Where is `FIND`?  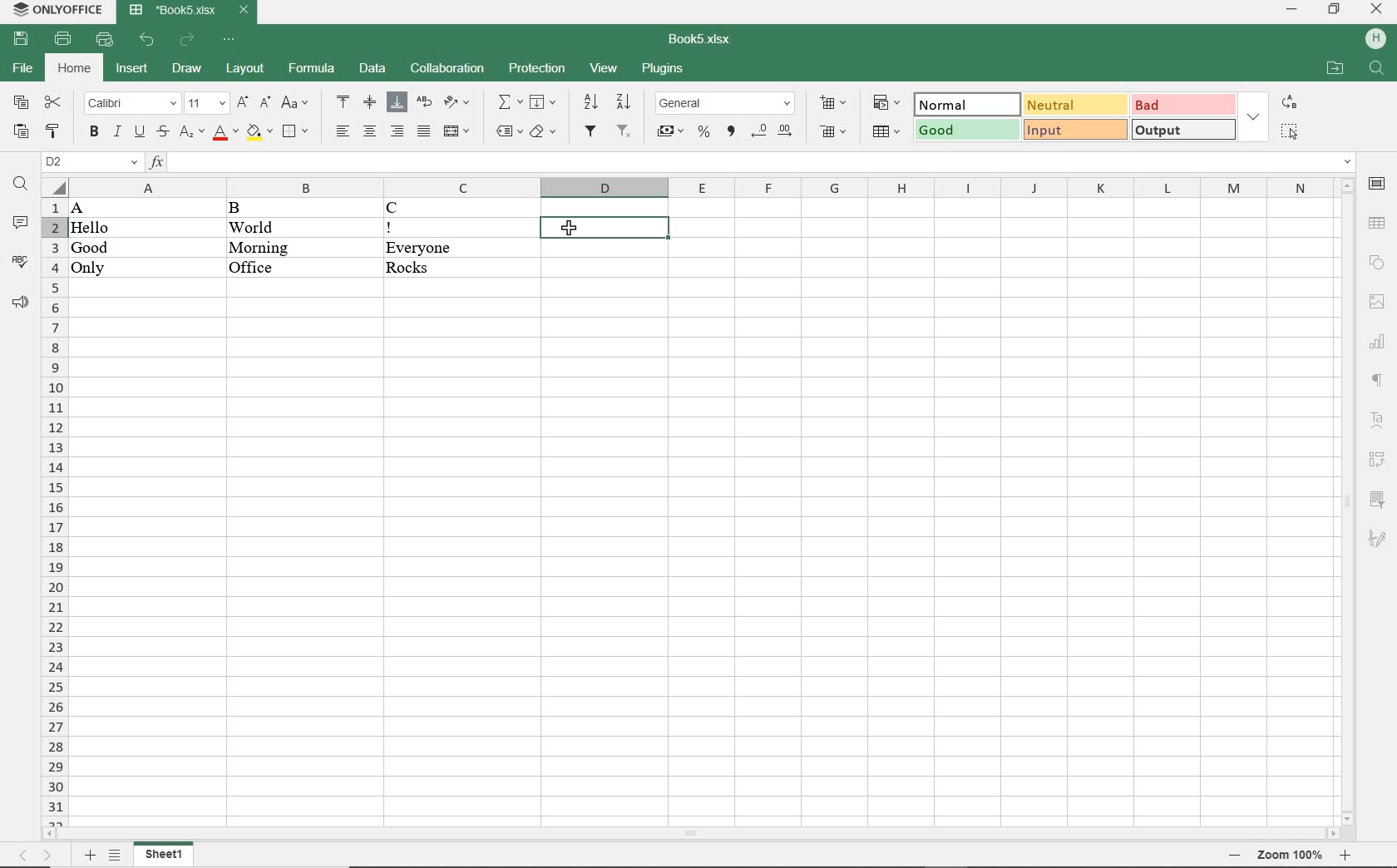 FIND is located at coordinates (1375, 68).